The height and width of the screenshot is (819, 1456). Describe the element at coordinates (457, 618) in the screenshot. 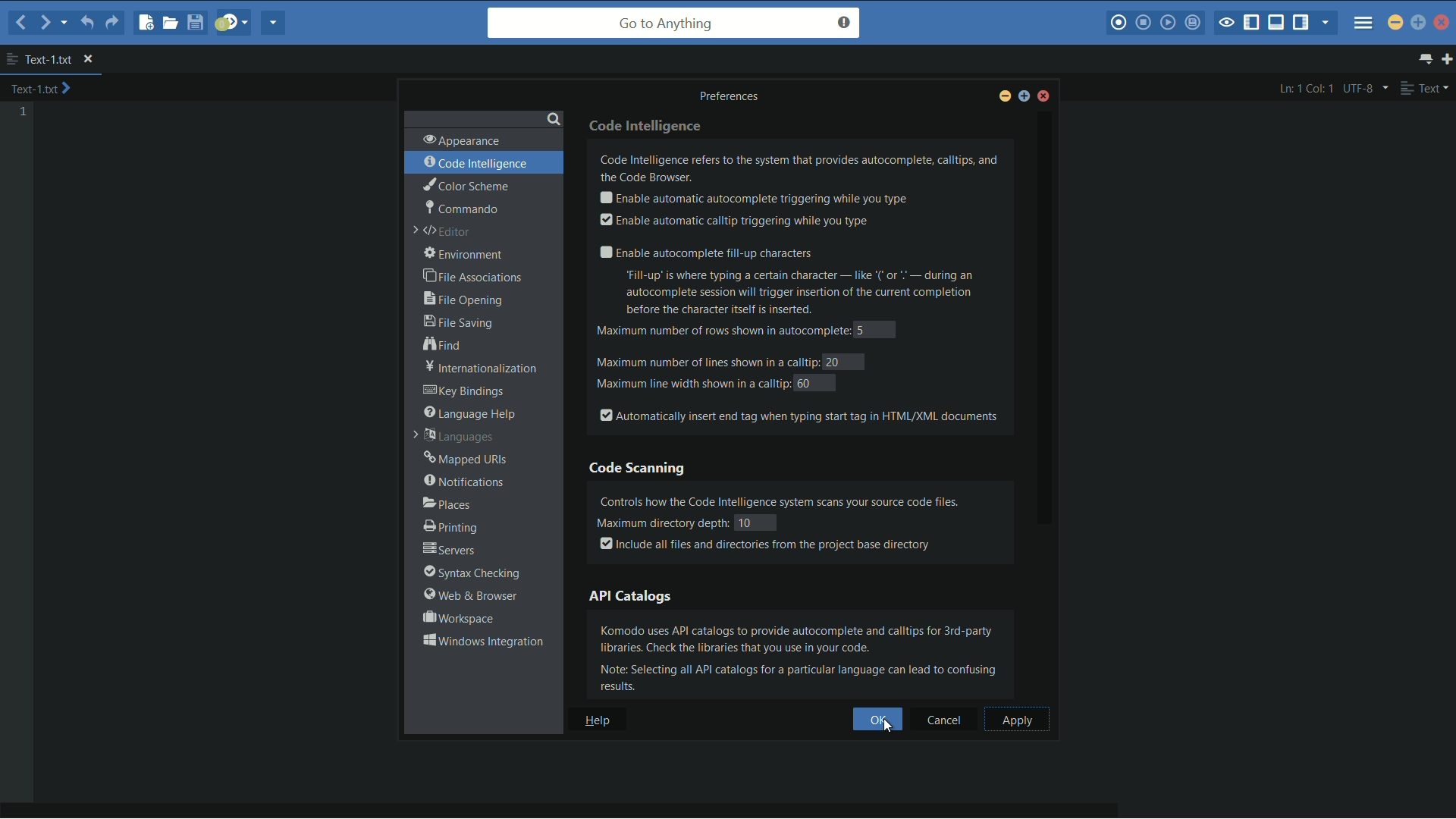

I see `workspace` at that location.